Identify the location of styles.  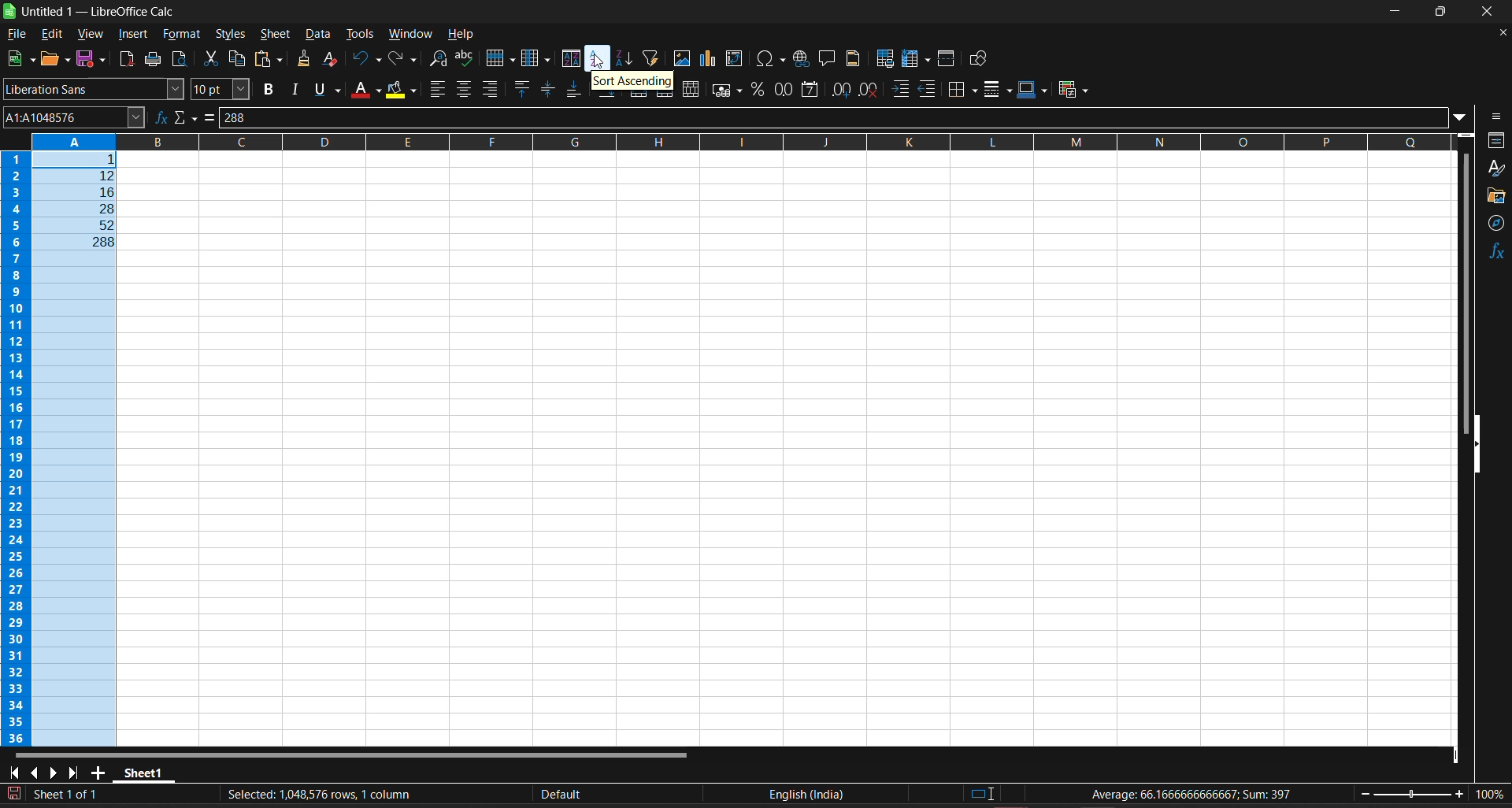
(229, 35).